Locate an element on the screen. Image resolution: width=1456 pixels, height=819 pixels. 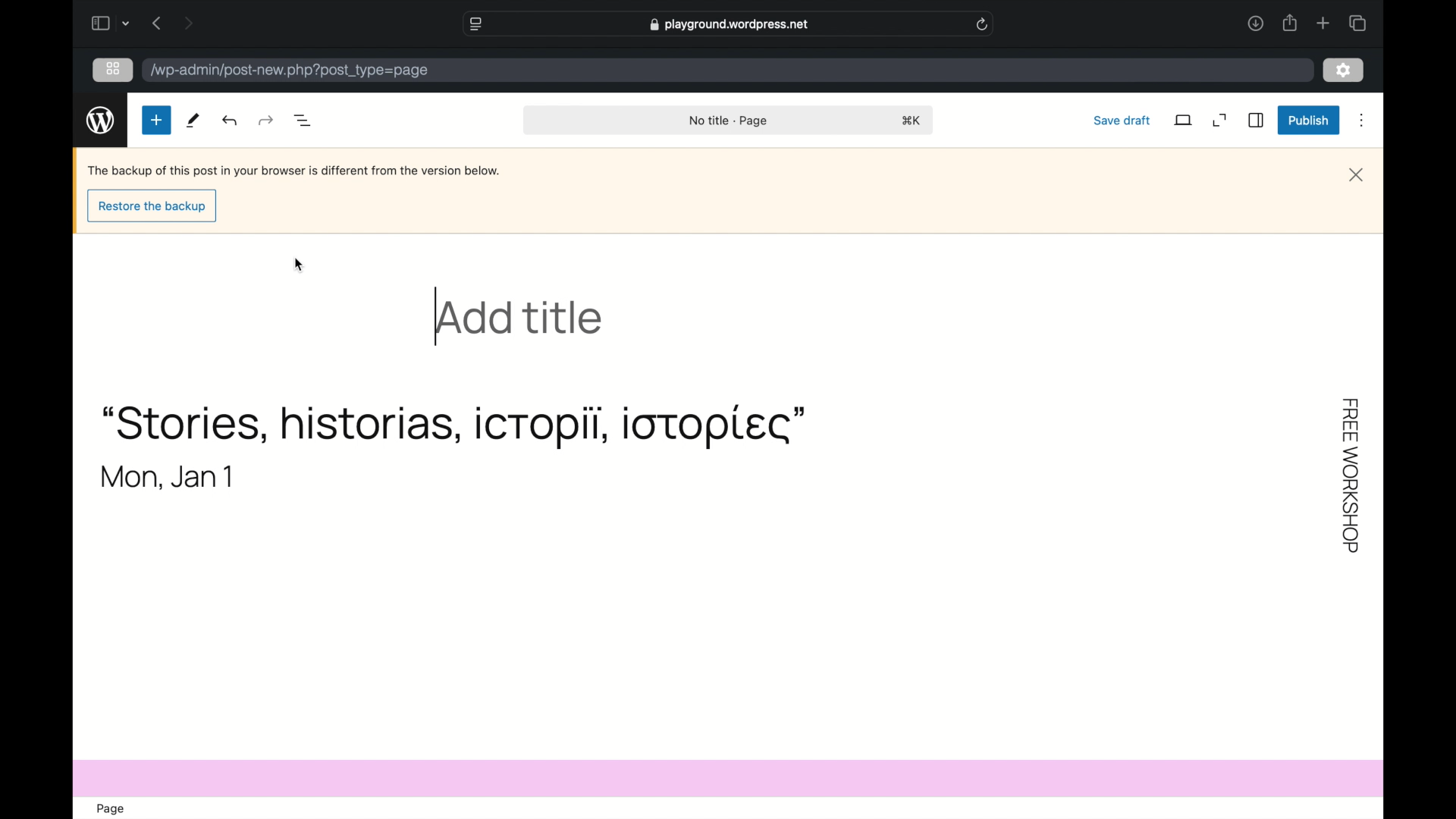
save draft is located at coordinates (1123, 120).